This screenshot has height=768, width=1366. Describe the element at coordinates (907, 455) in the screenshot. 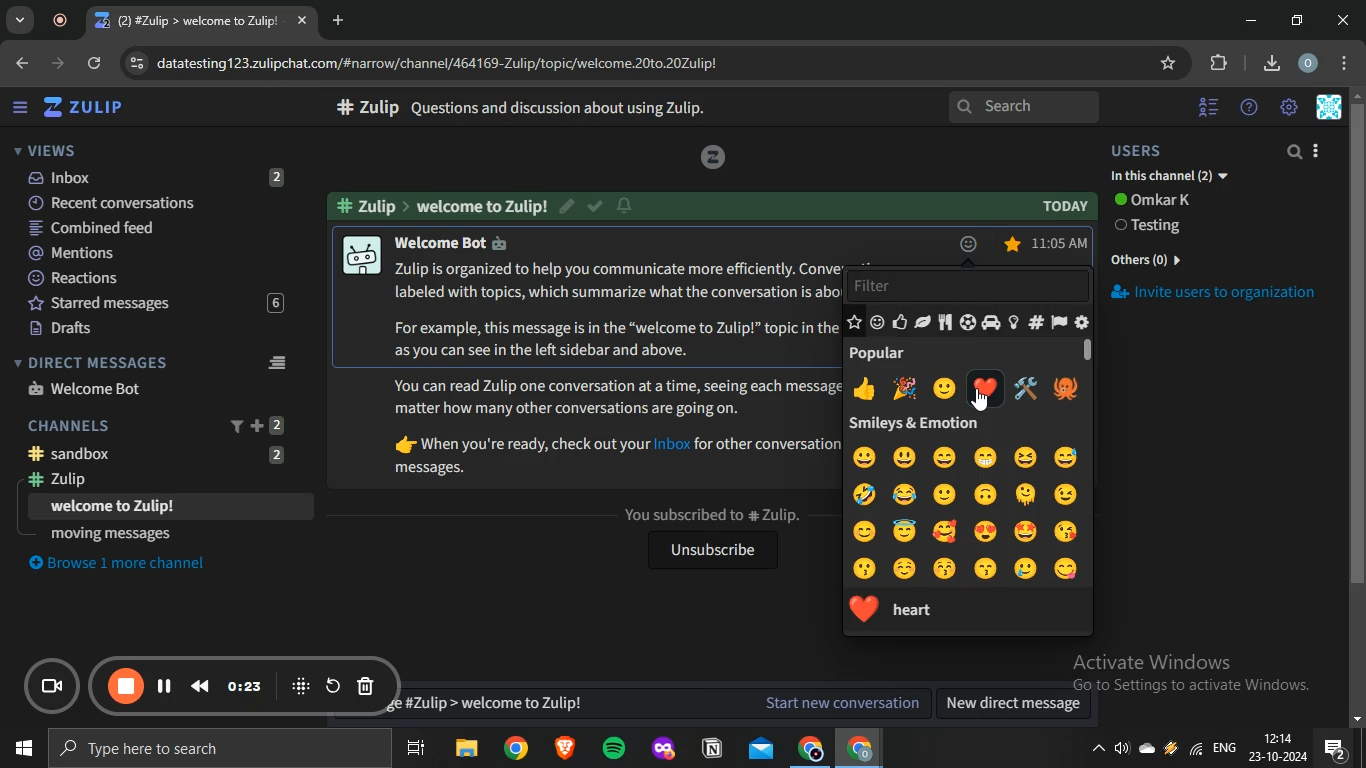

I see `smiley` at that location.